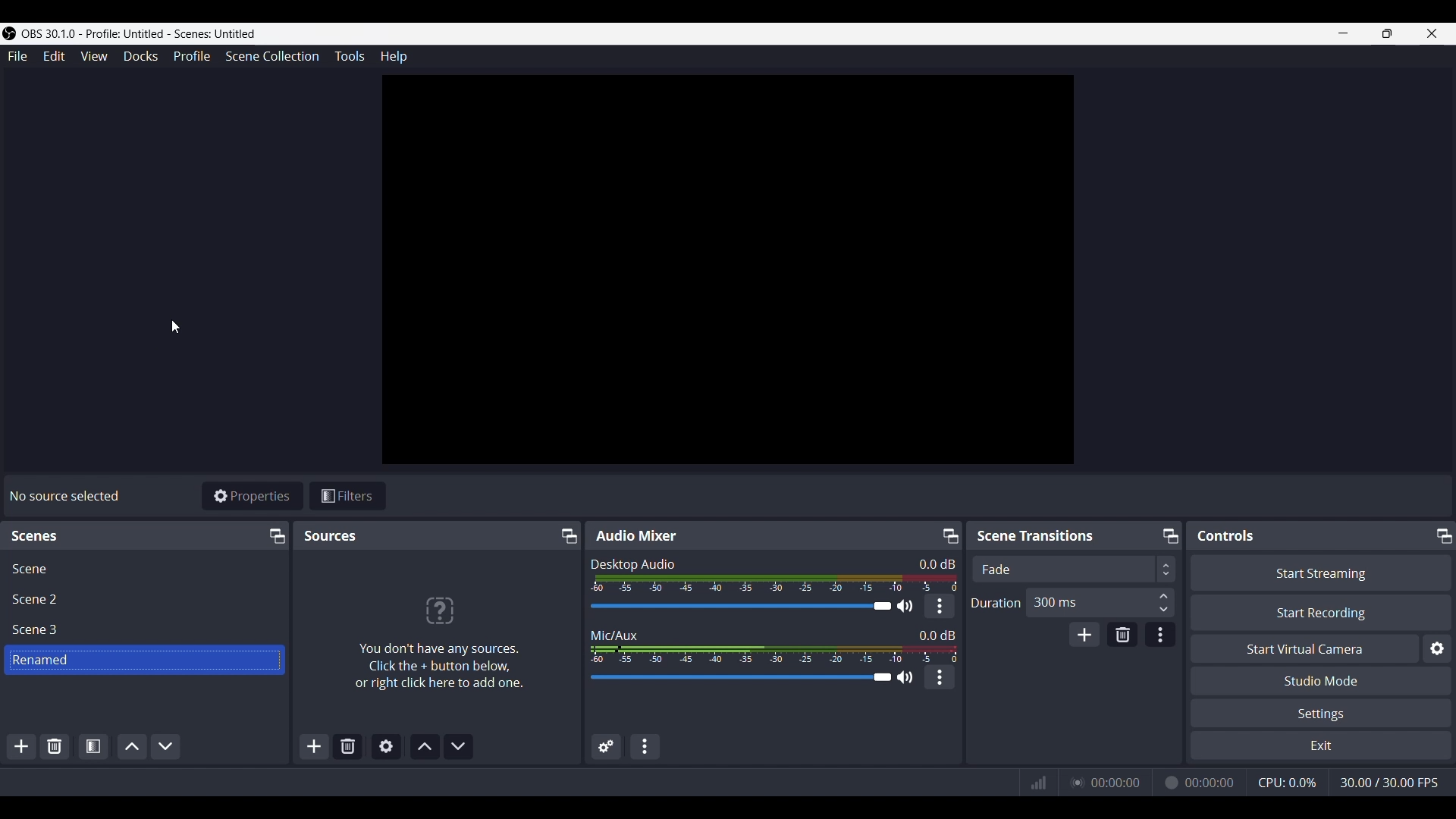 The height and width of the screenshot is (819, 1456). Describe the element at coordinates (1432, 33) in the screenshot. I see `close` at that location.